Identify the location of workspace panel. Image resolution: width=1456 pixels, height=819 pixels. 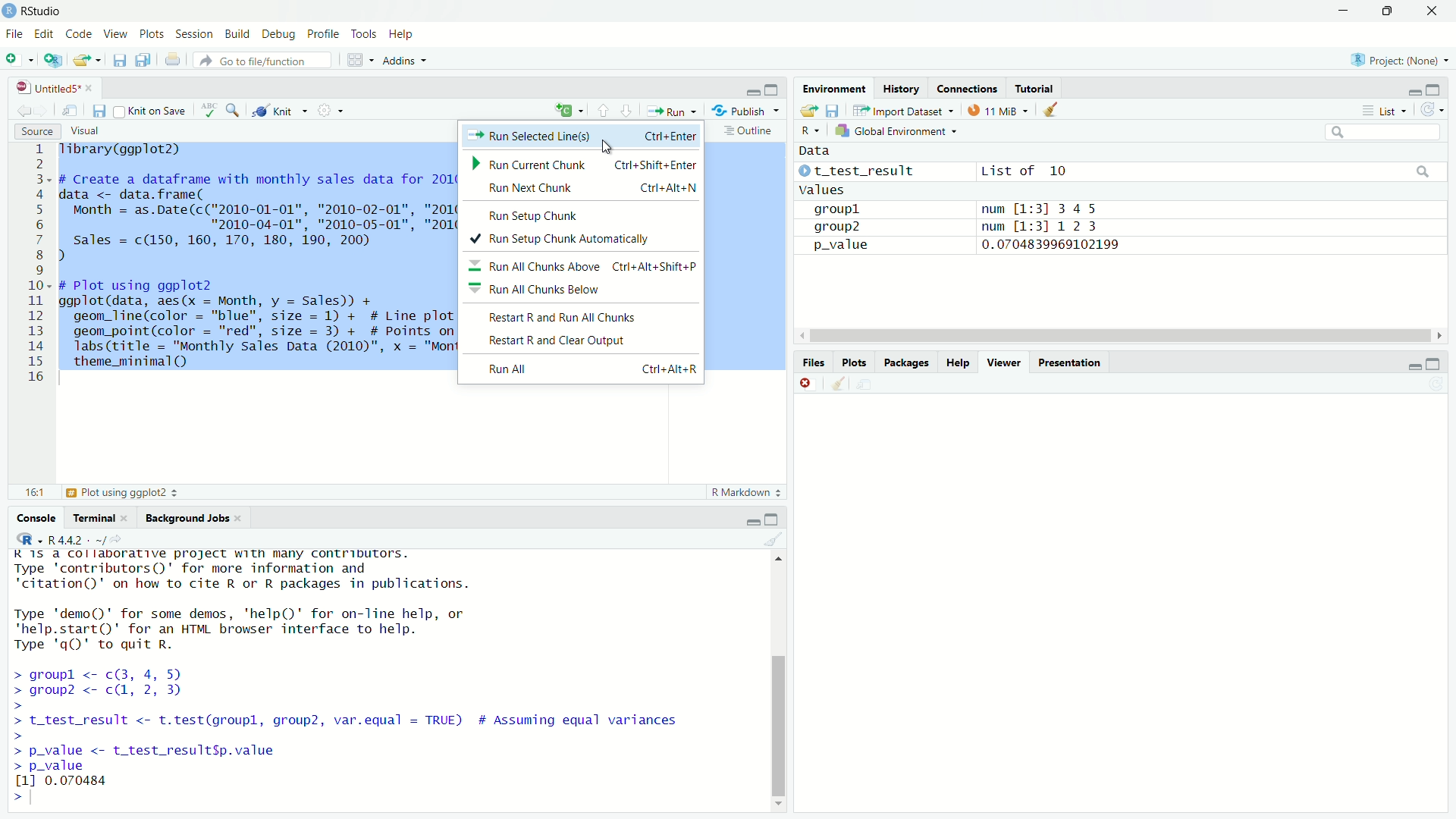
(362, 59).